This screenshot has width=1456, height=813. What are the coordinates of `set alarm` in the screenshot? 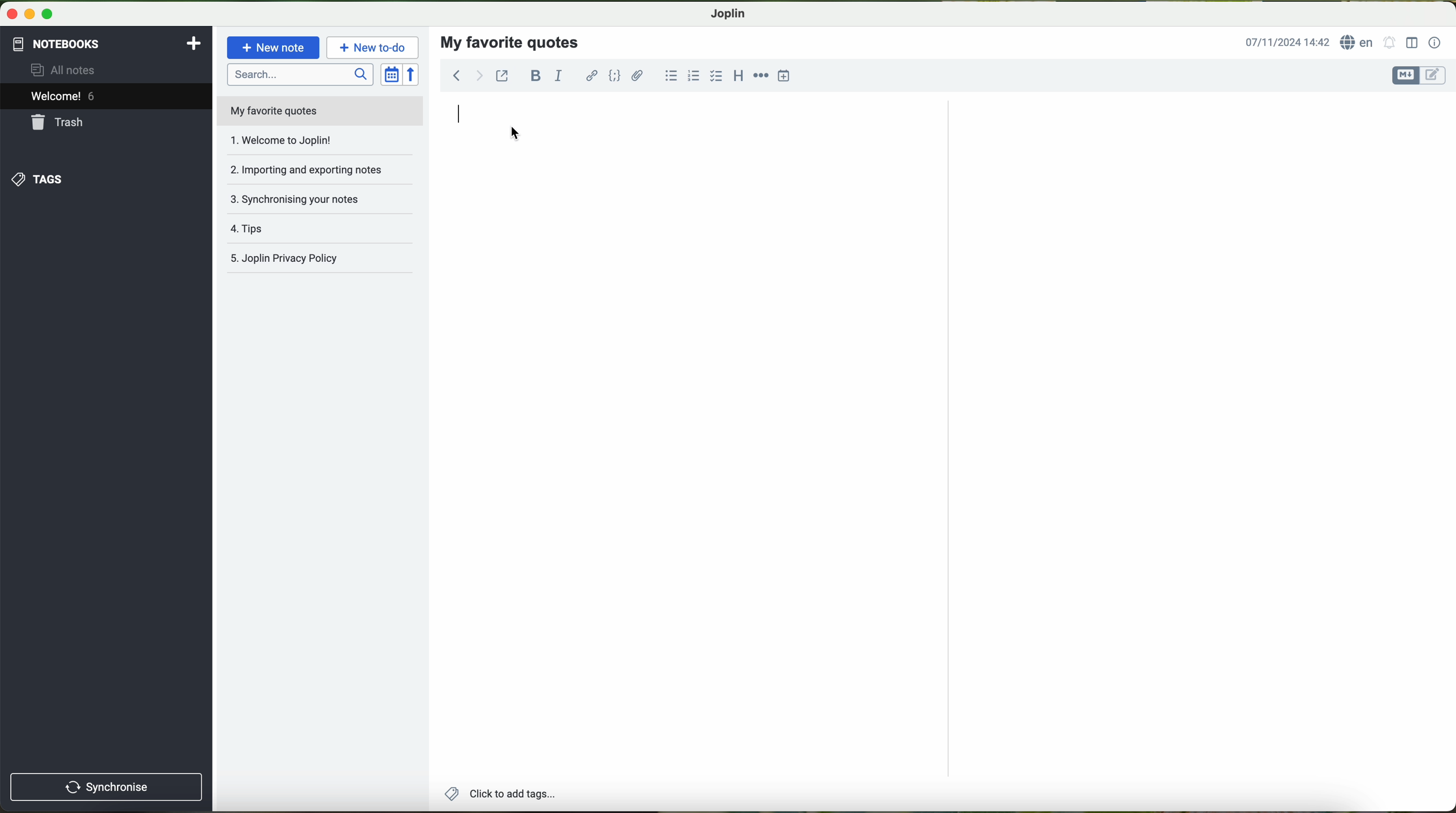 It's located at (1389, 45).